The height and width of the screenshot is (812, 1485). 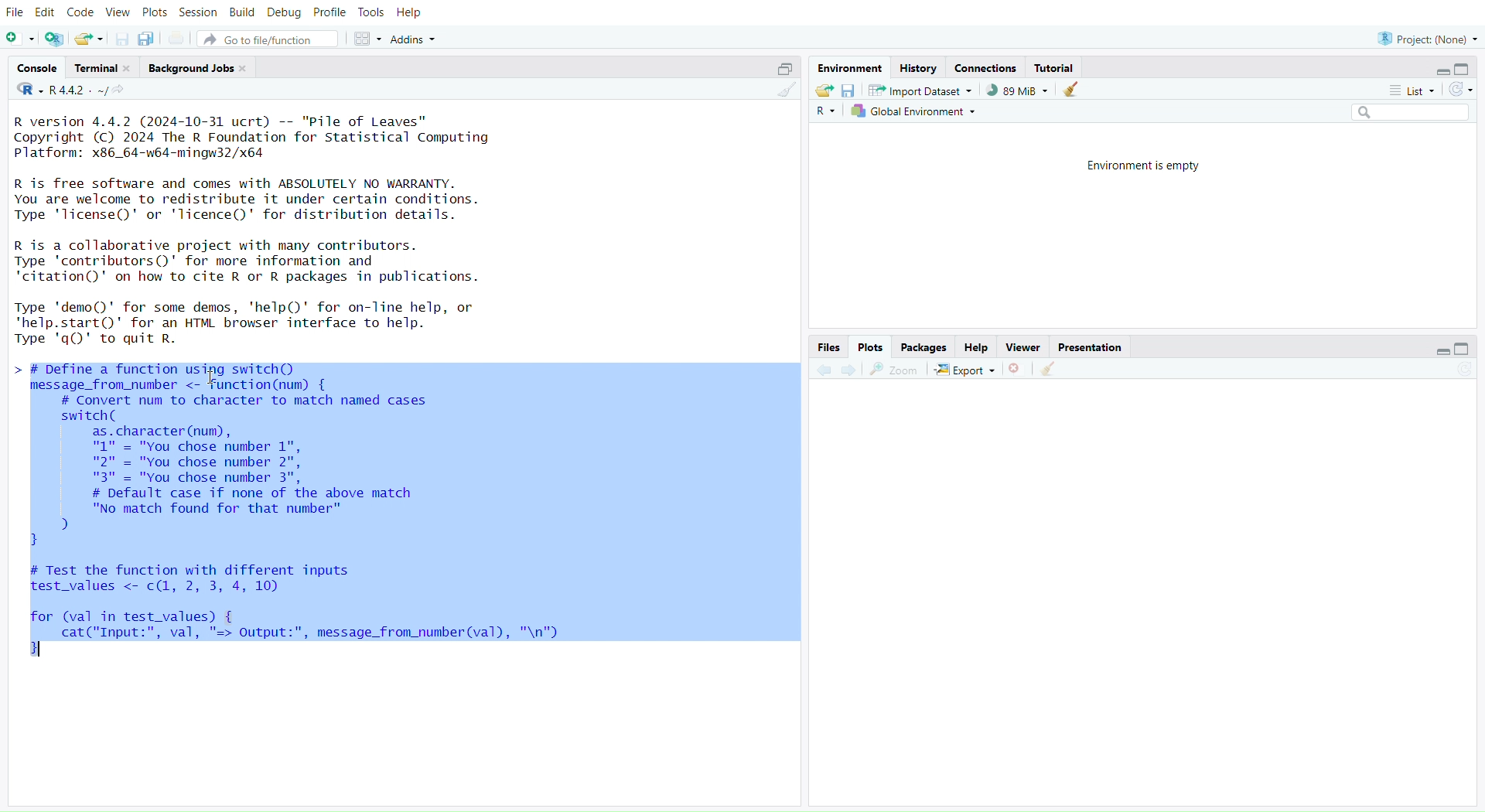 What do you see at coordinates (213, 377) in the screenshot?
I see `Text cursor` at bounding box center [213, 377].